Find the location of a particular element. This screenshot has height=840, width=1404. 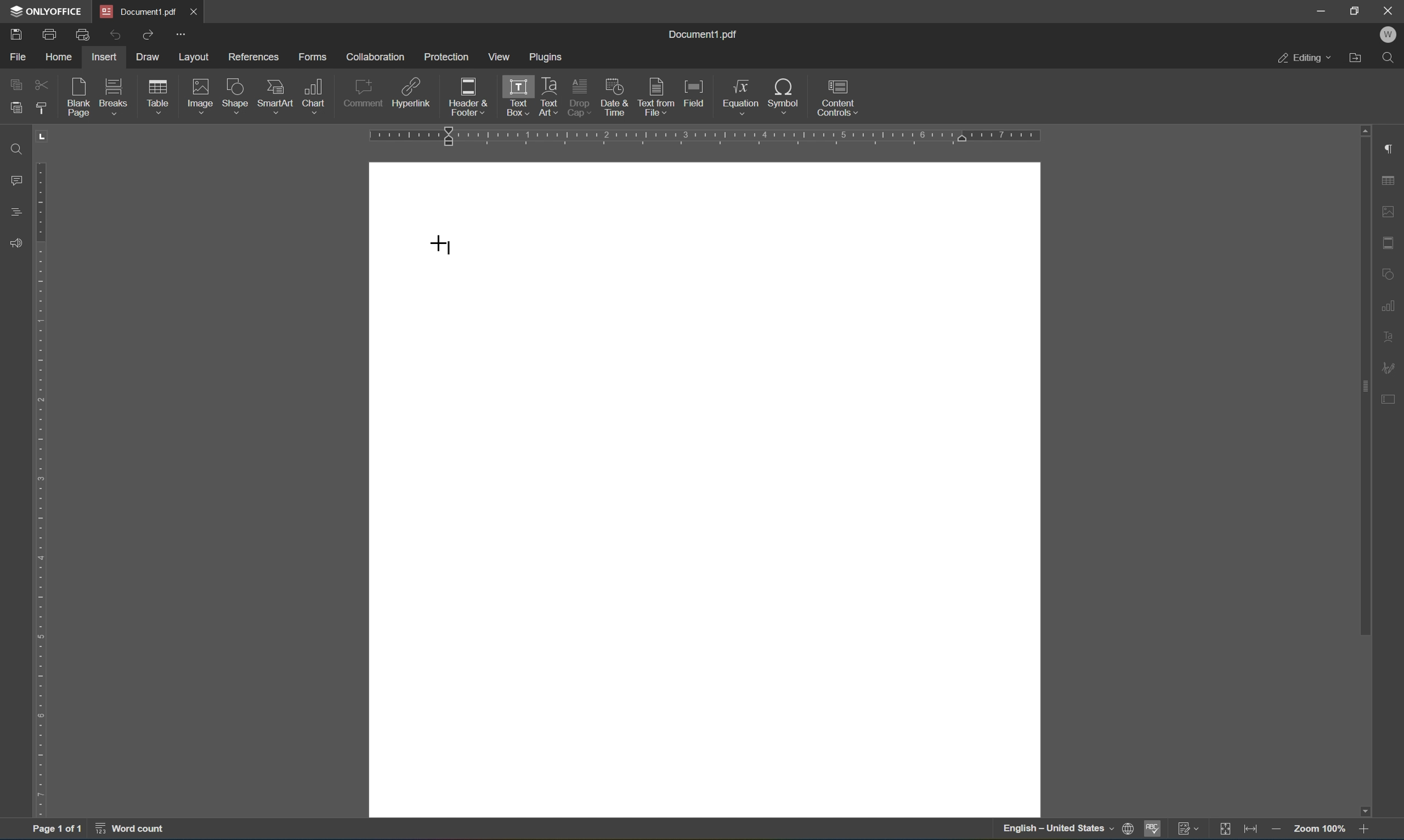

smart art is located at coordinates (277, 96).